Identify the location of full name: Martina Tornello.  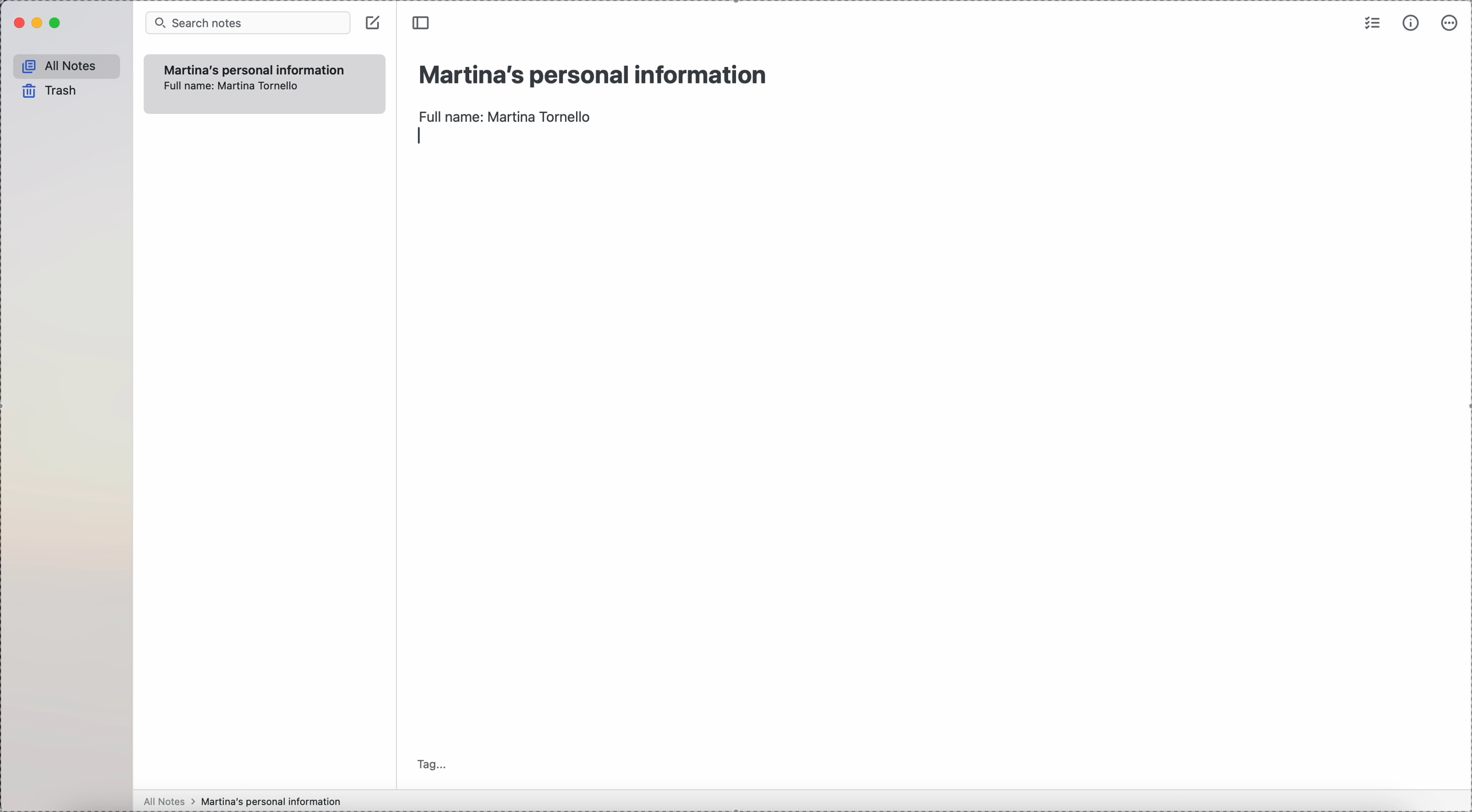
(507, 114).